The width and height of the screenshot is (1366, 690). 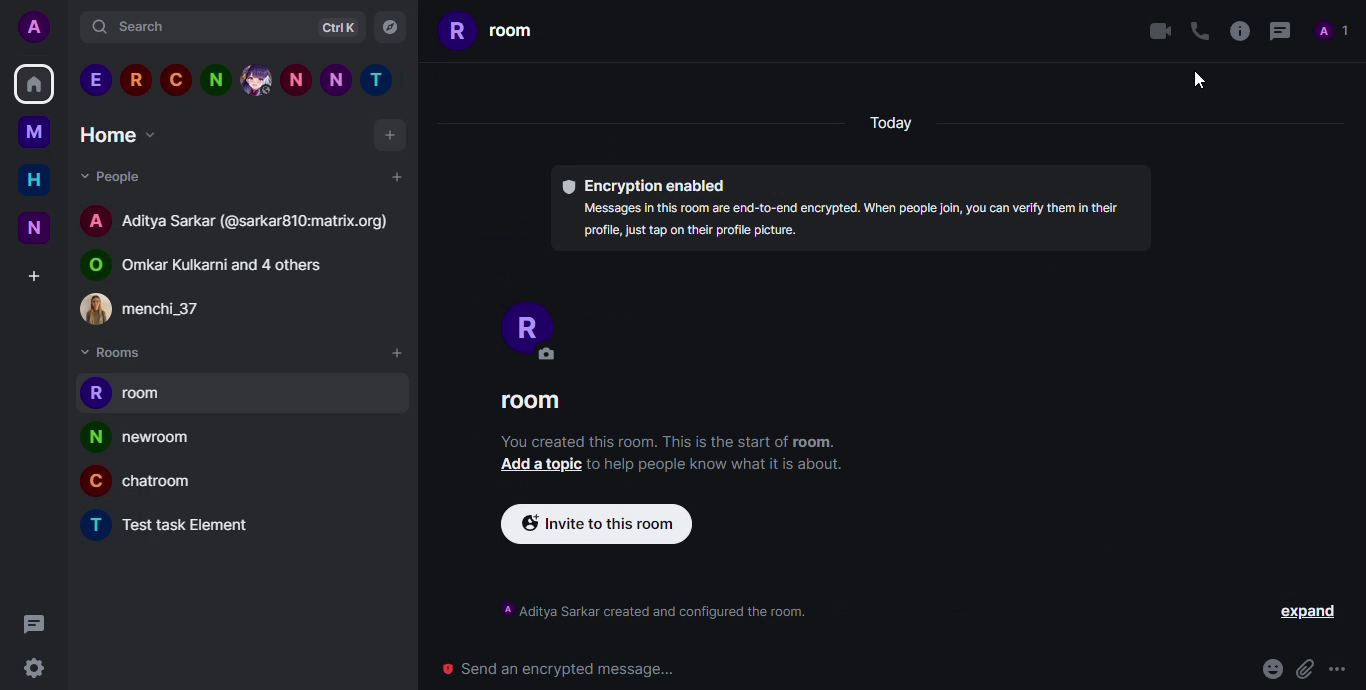 I want to click on expand, so click(x=1310, y=613).